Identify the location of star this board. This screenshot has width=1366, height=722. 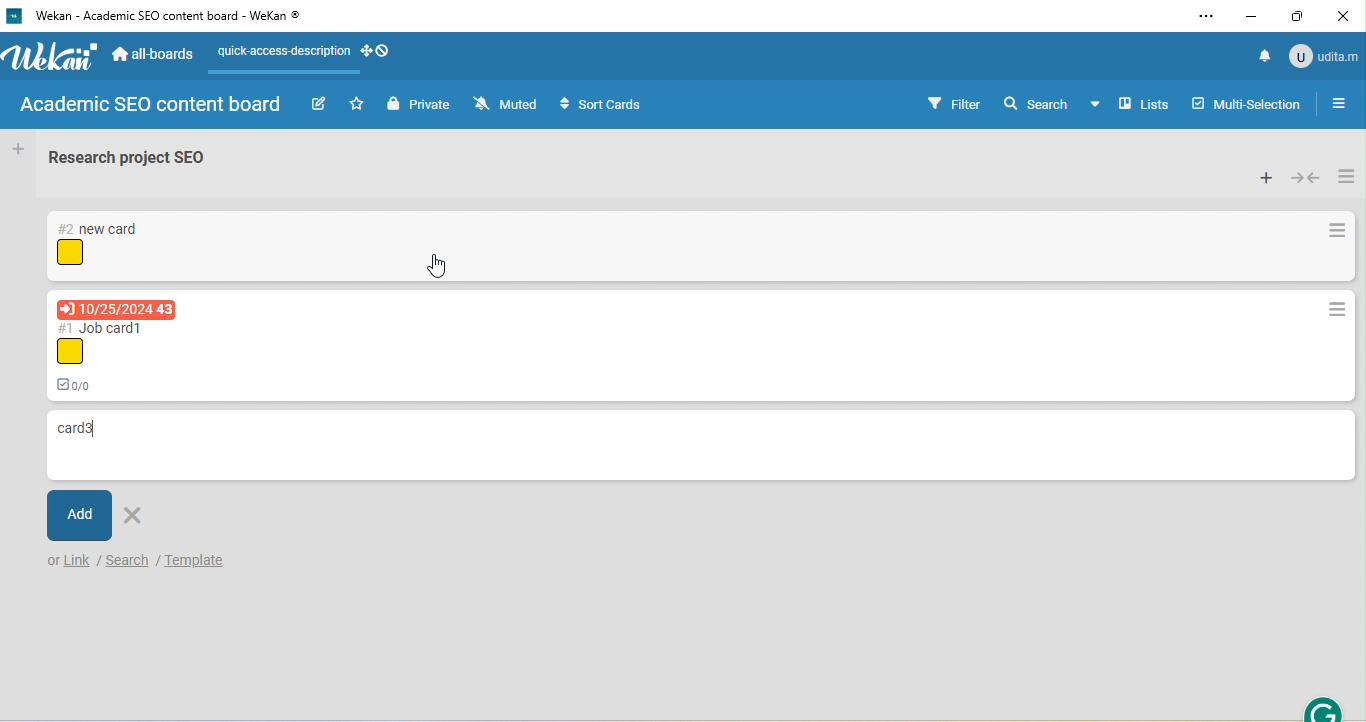
(357, 103).